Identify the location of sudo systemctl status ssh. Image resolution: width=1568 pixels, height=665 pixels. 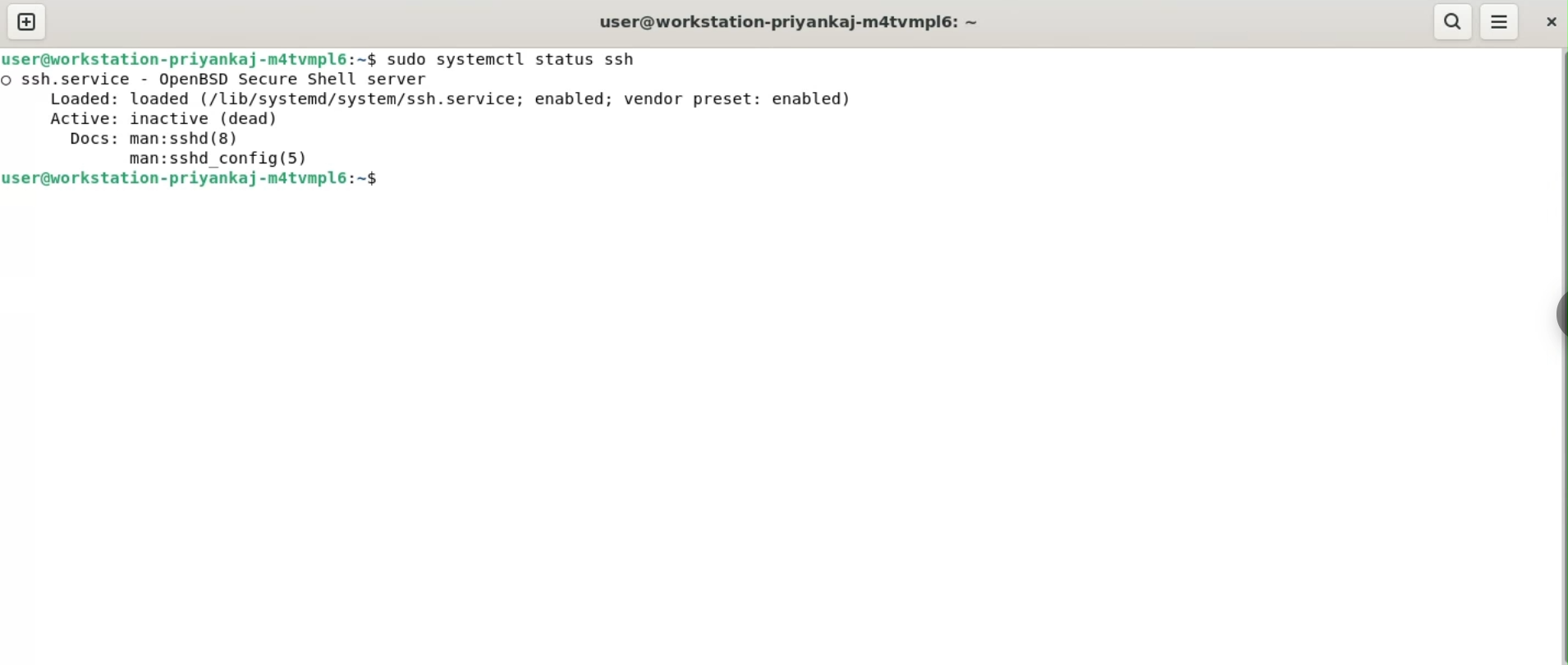
(523, 58).